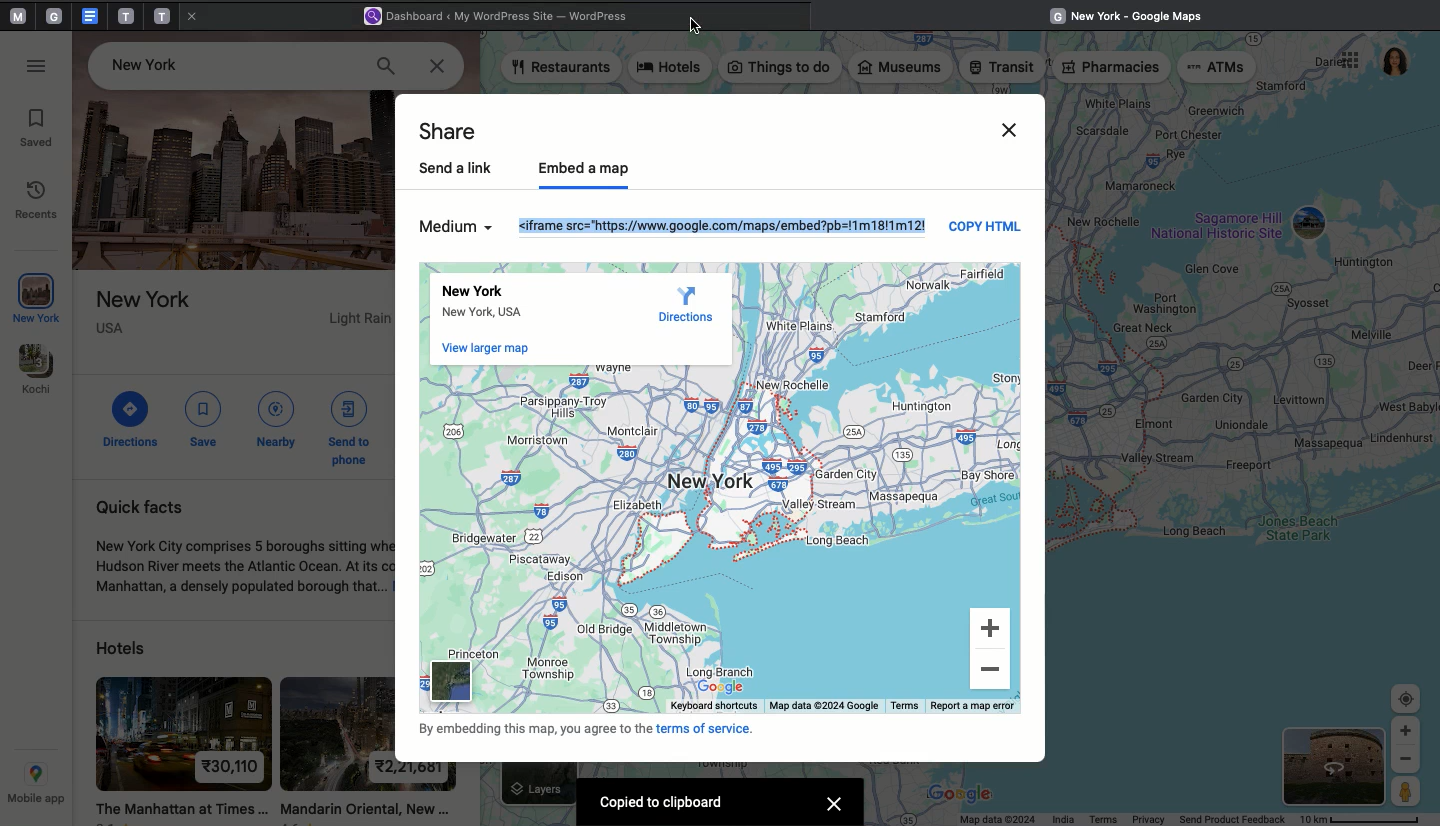 This screenshot has width=1440, height=826. Describe the element at coordinates (154, 62) in the screenshot. I see `Place -New York` at that location.